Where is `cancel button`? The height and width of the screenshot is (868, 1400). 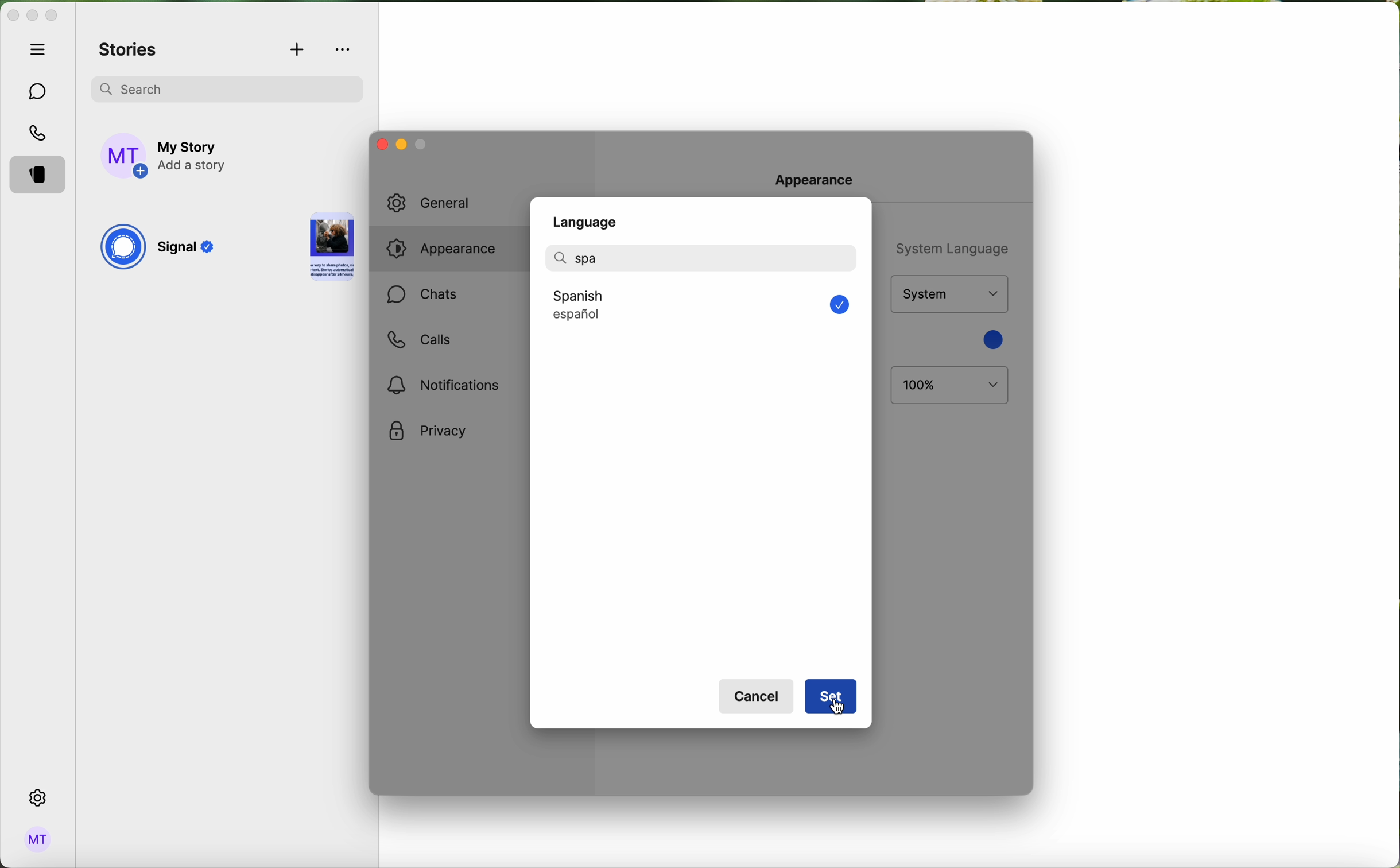
cancel button is located at coordinates (758, 697).